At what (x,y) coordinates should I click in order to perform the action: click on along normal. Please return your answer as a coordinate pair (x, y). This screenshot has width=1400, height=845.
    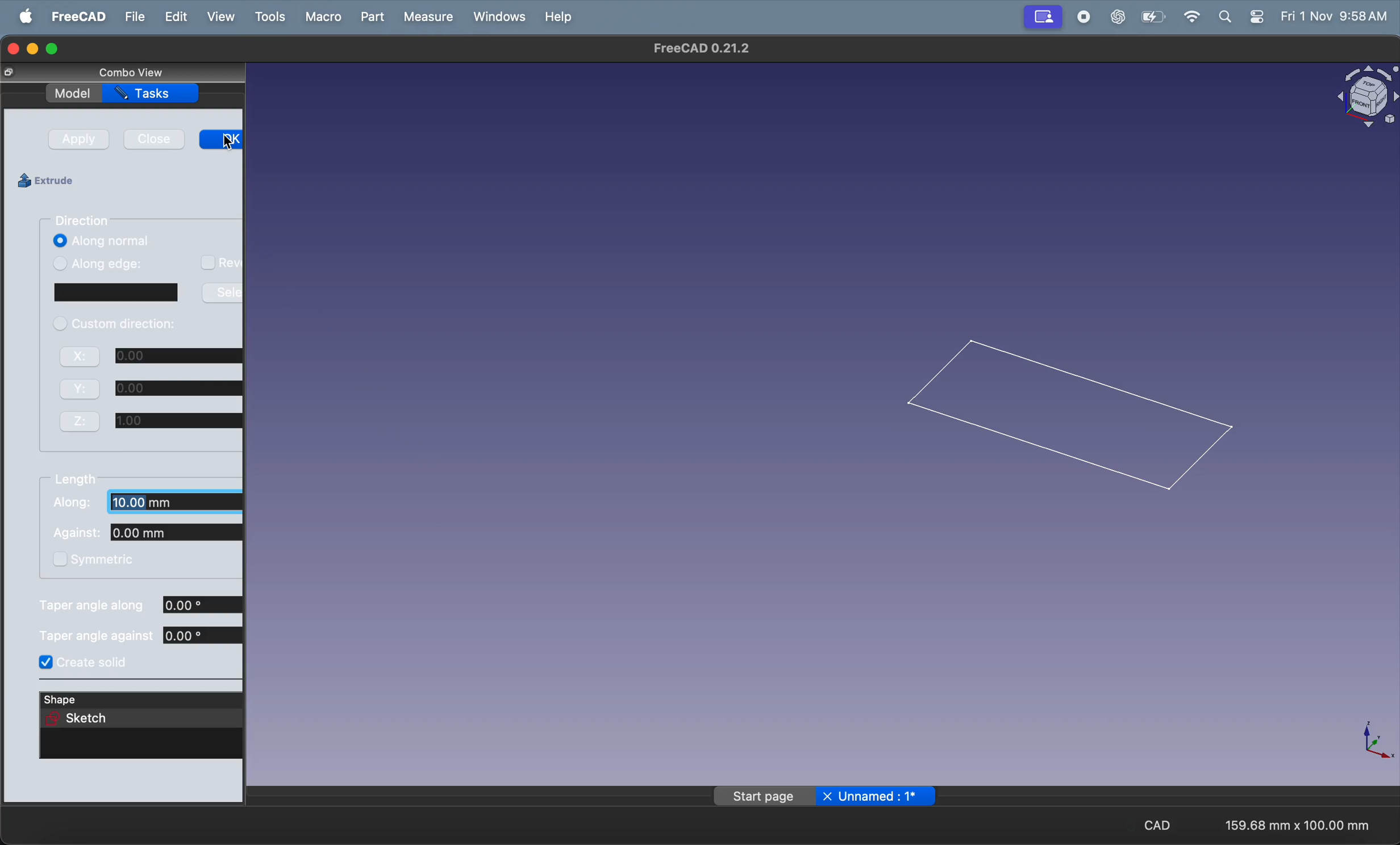
    Looking at the image, I should click on (105, 241).